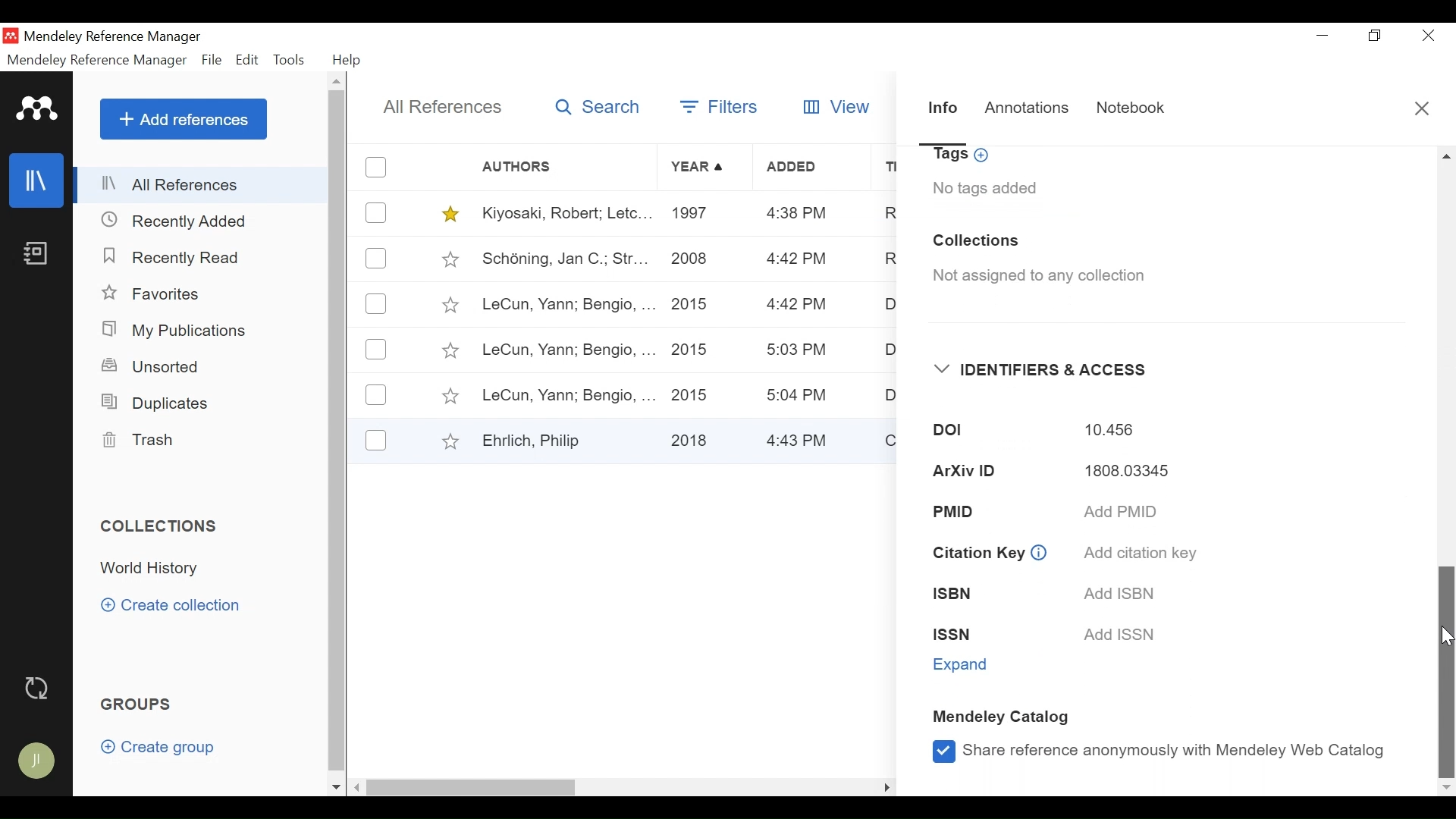  I want to click on 2015, so click(693, 303).